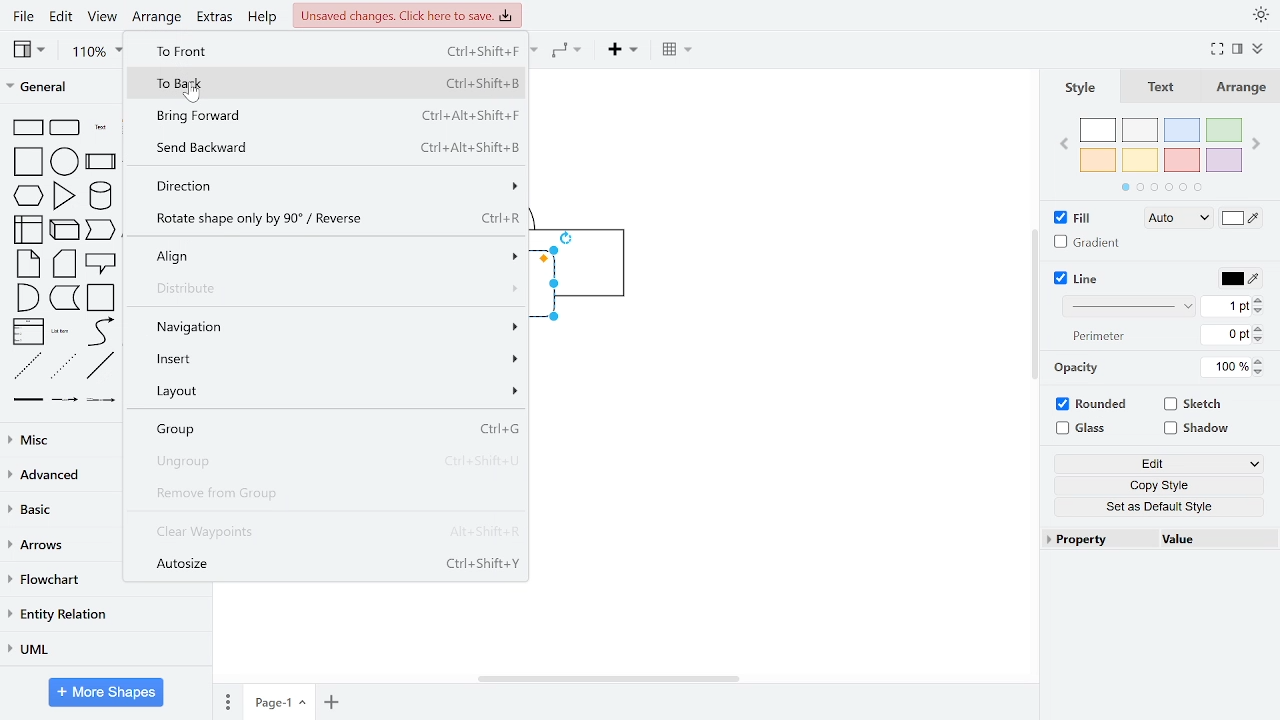  What do you see at coordinates (1095, 337) in the screenshot?
I see `perimeter` at bounding box center [1095, 337].